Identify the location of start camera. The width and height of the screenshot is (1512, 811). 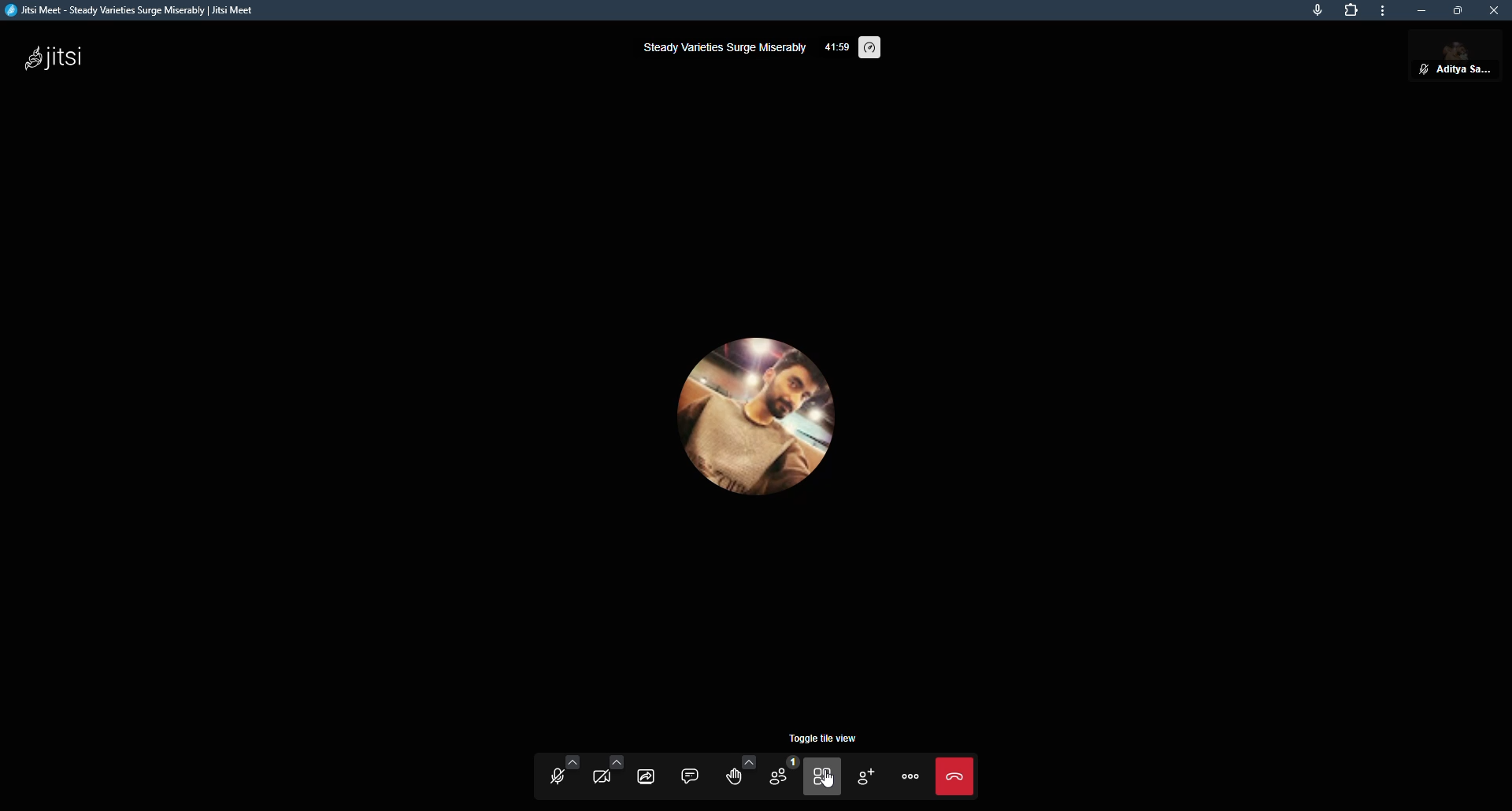
(606, 774).